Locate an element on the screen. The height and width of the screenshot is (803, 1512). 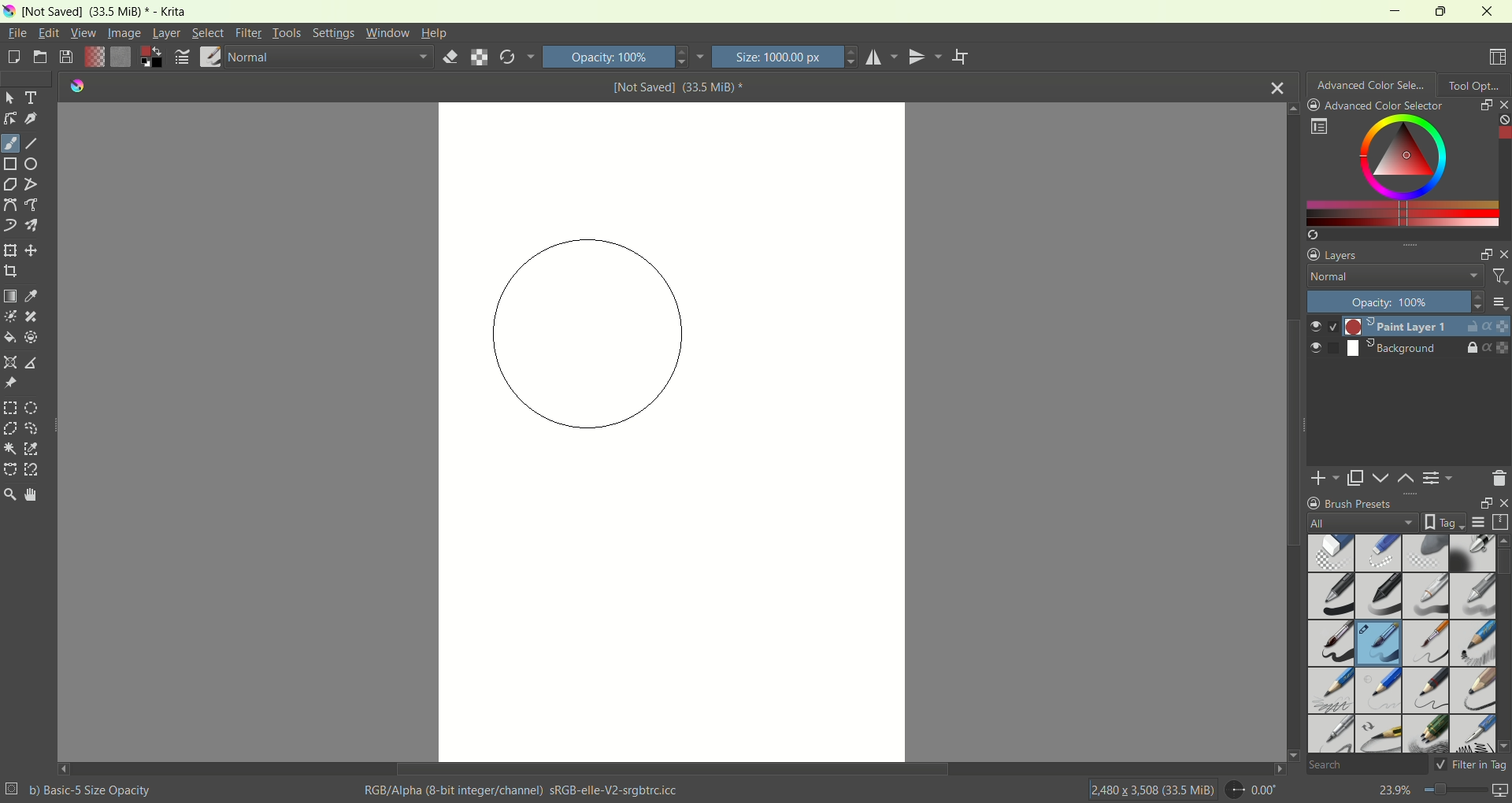
brush presets is located at coordinates (1350, 503).